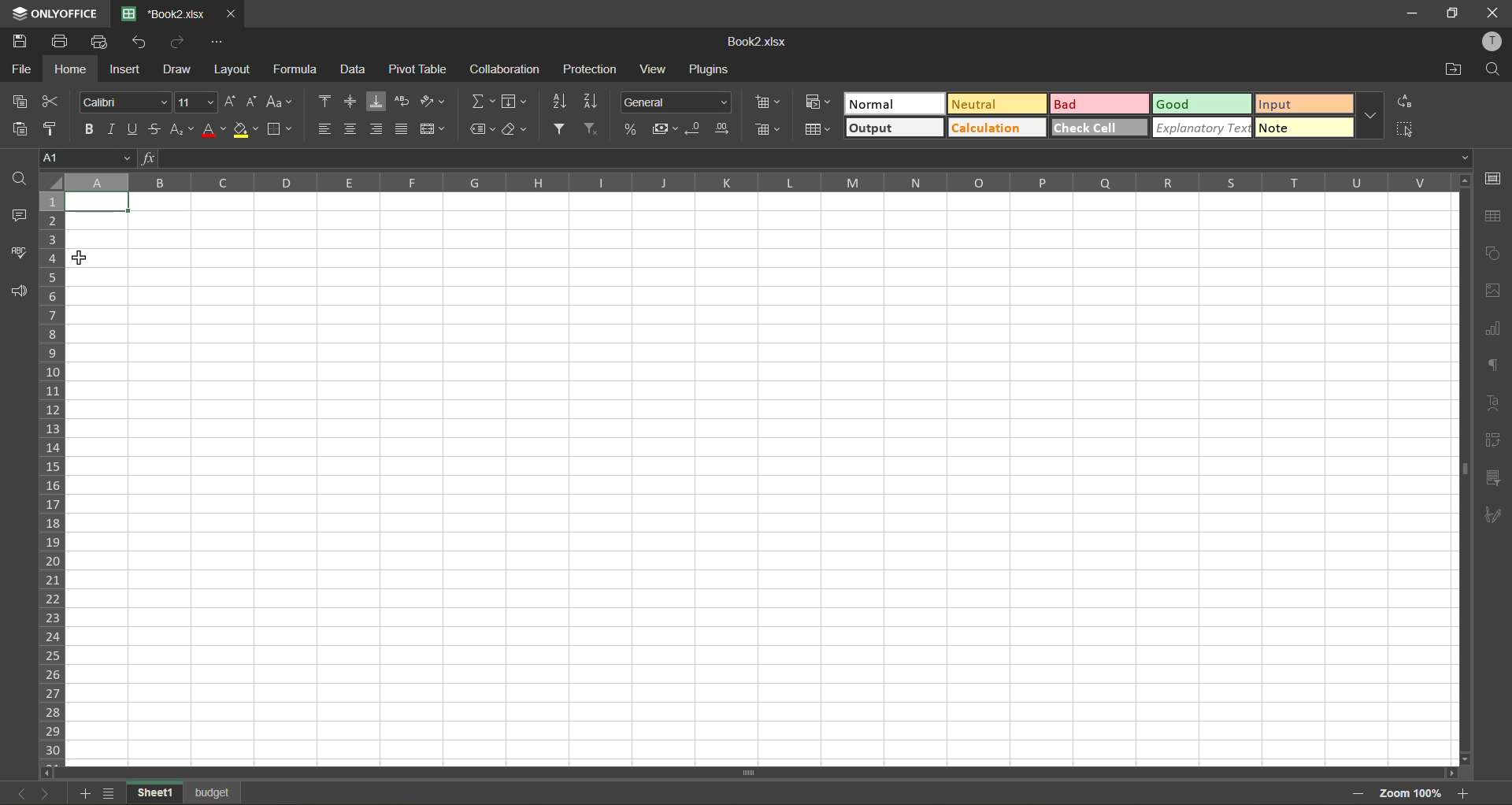  I want to click on increase decimal, so click(724, 130).